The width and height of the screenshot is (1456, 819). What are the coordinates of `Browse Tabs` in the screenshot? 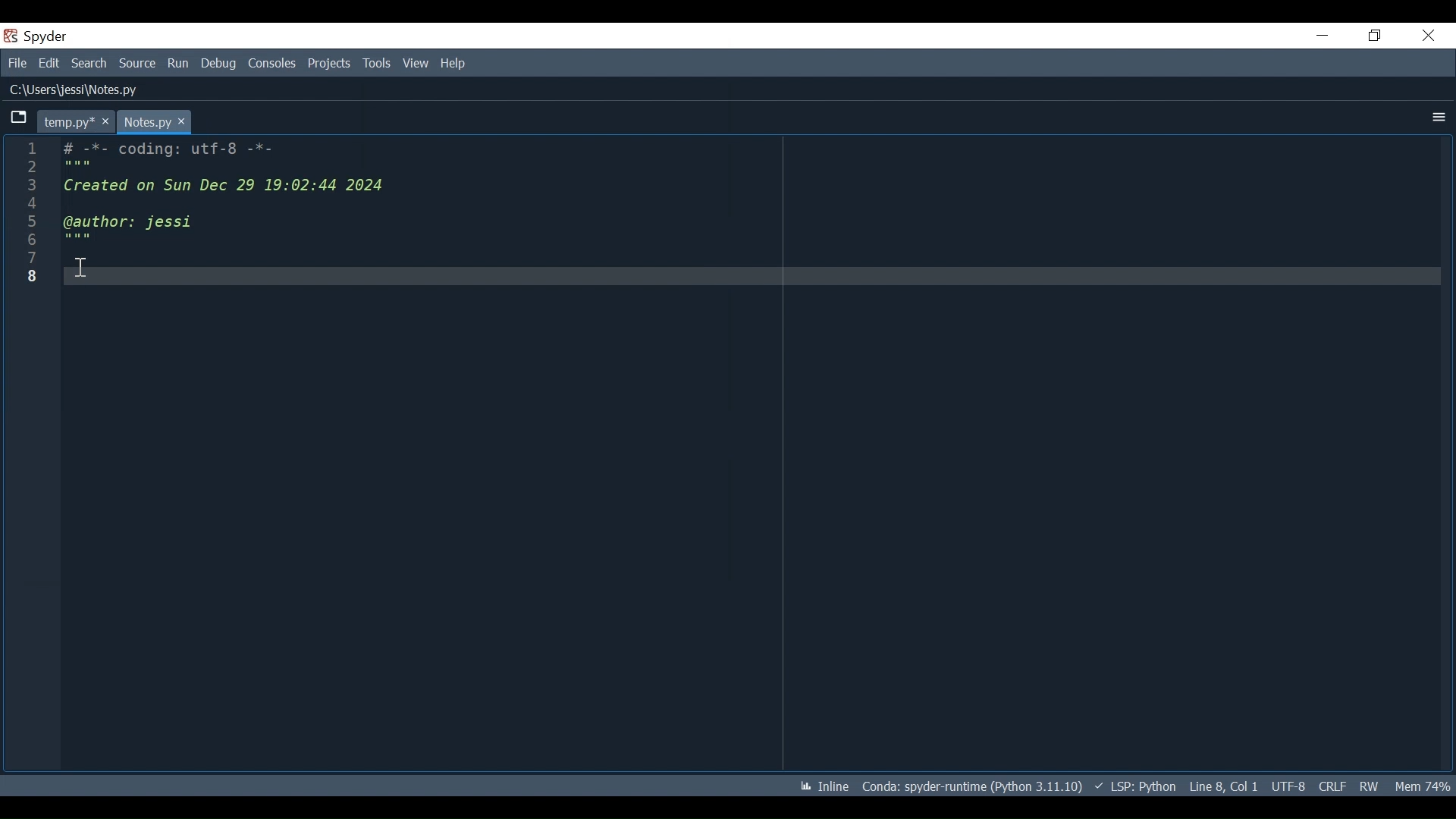 It's located at (19, 118).